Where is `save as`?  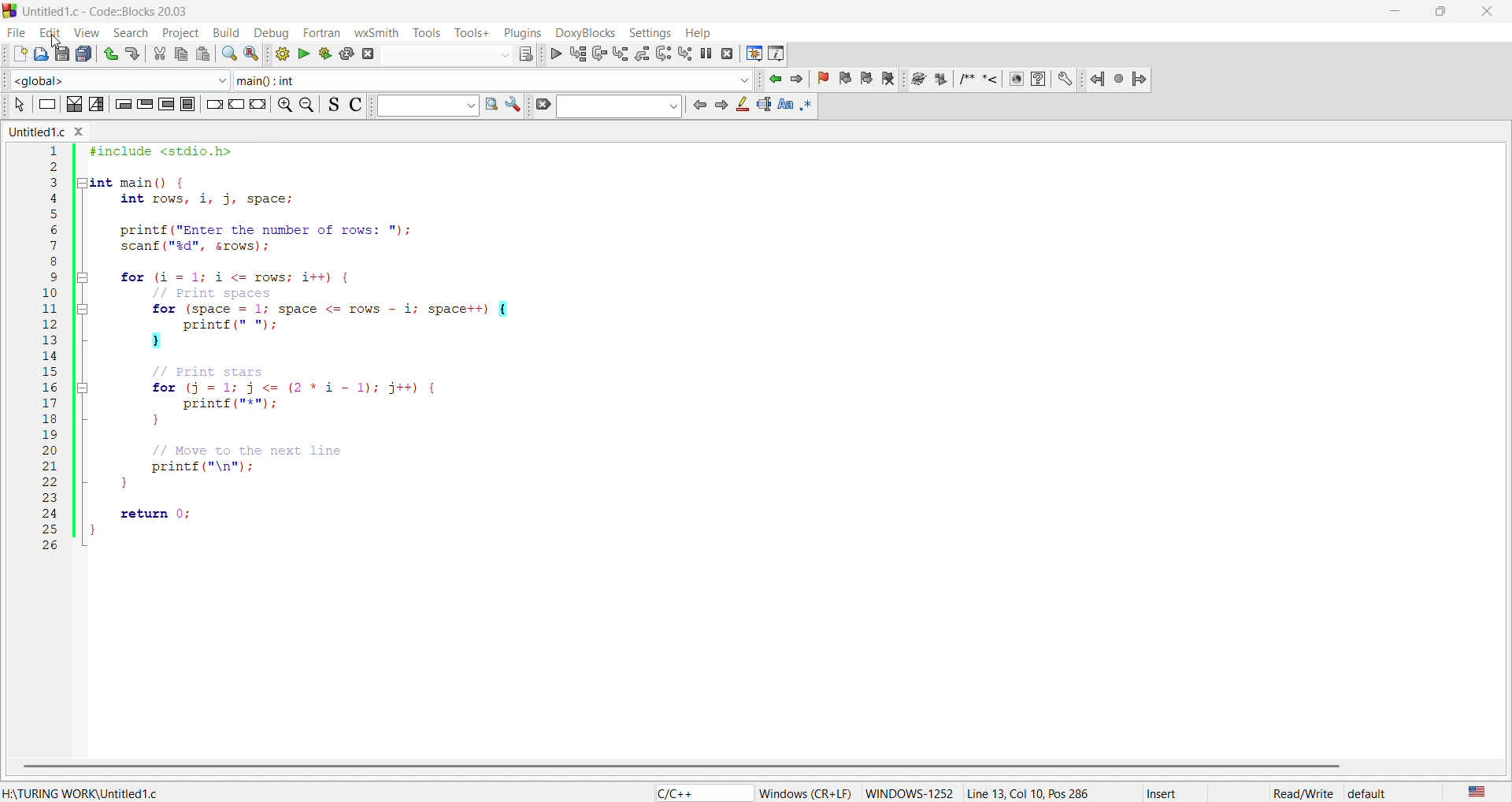
save as is located at coordinates (63, 53).